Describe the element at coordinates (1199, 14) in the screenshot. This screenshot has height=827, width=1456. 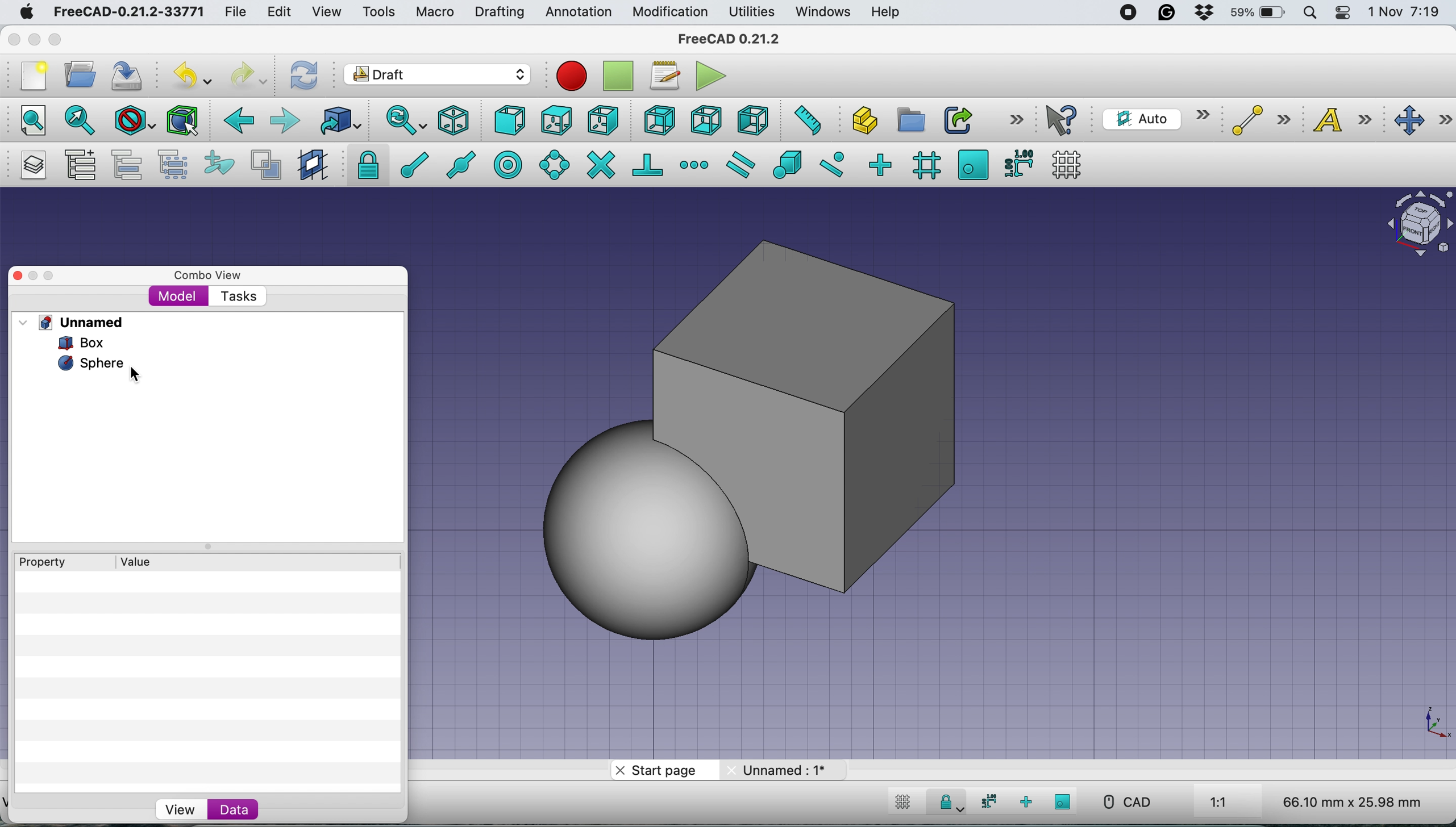
I see `dropbox` at that location.